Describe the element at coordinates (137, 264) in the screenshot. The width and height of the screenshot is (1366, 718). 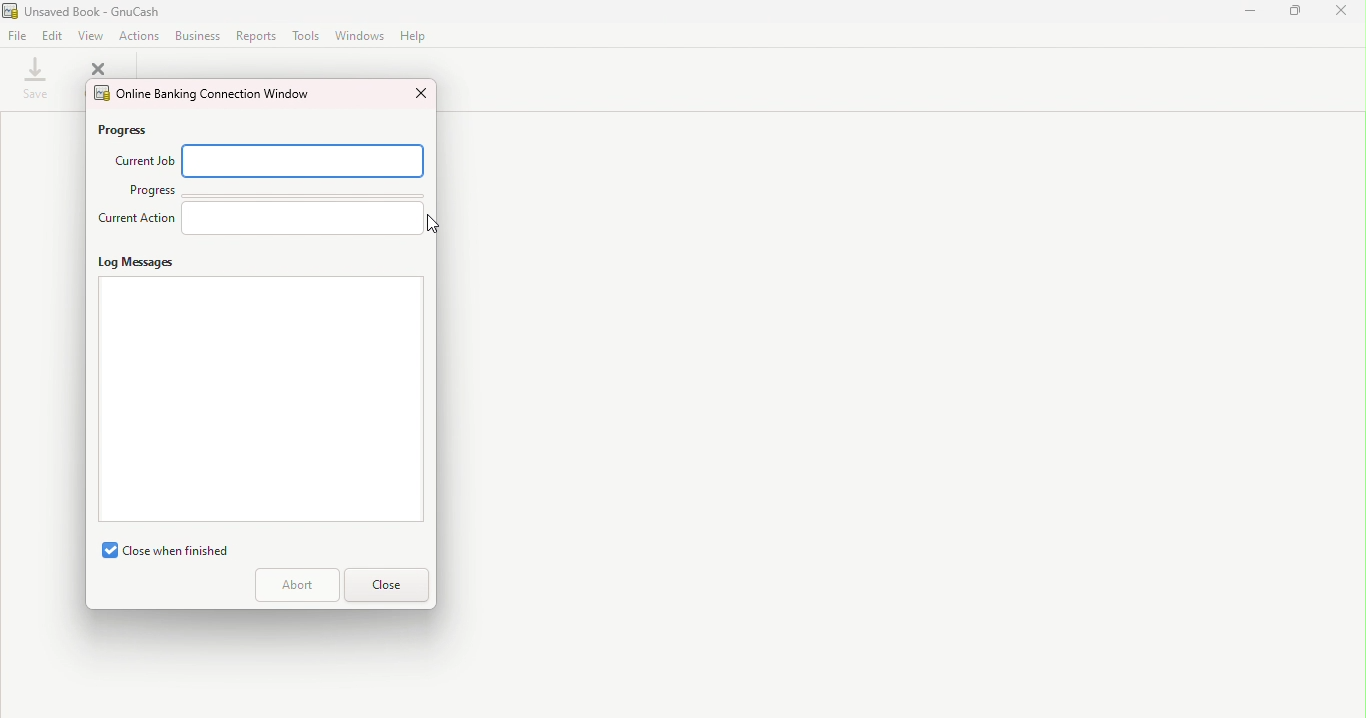
I see `Log messages` at that location.